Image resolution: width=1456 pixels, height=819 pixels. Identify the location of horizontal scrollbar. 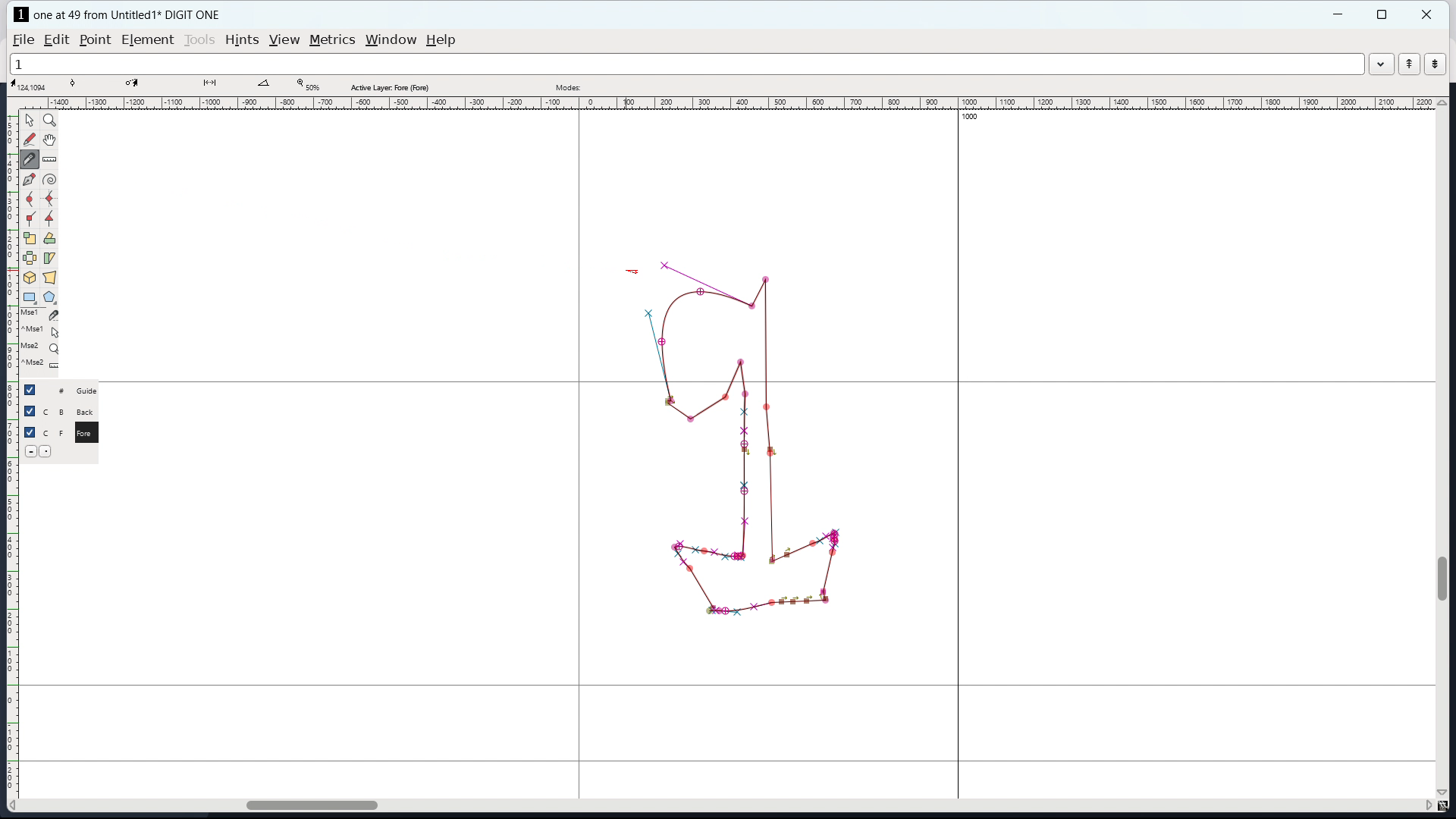
(304, 803).